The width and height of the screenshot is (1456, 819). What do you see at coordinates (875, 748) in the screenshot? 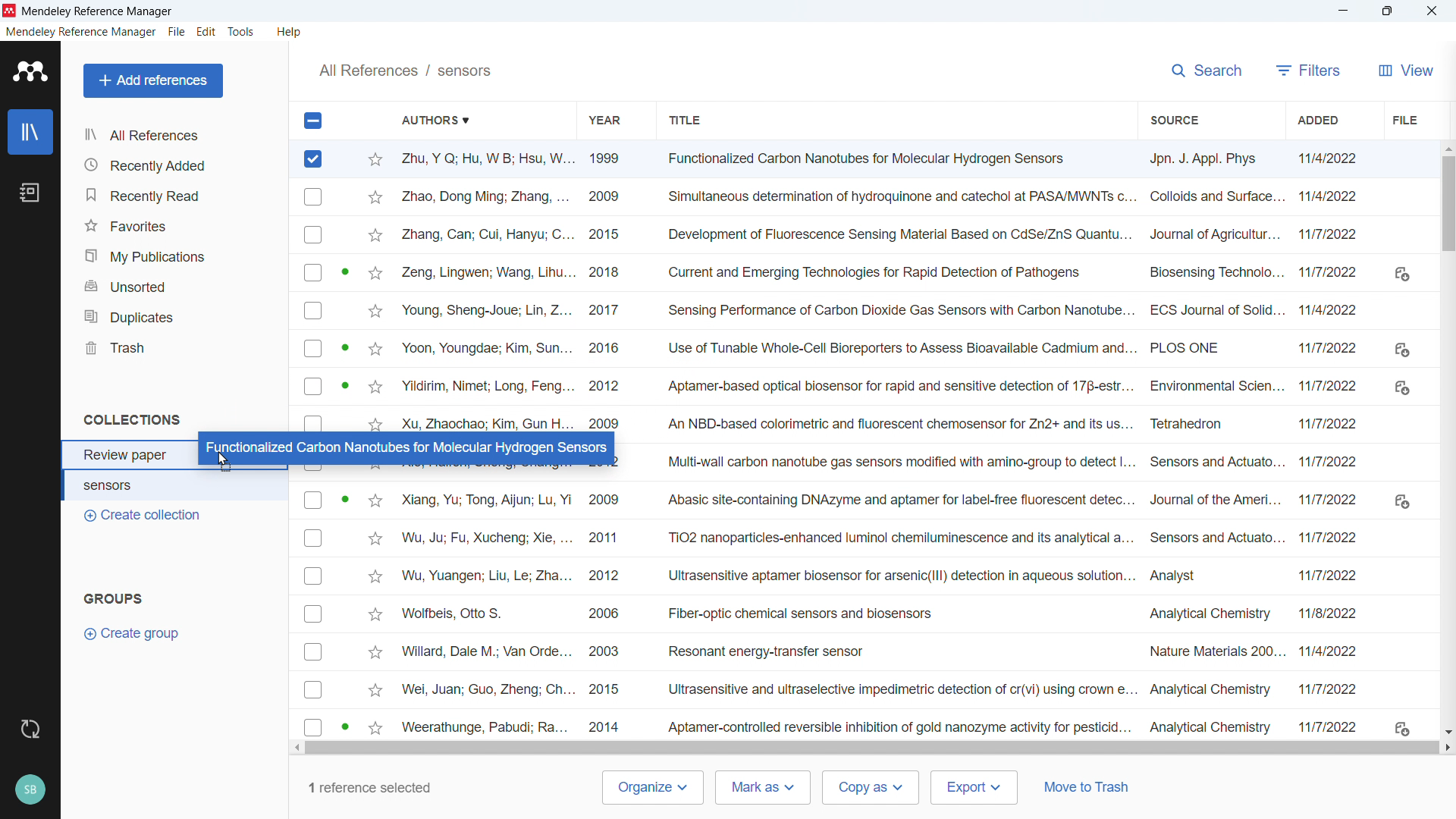
I see `Horizontal scroll bar ` at bounding box center [875, 748].